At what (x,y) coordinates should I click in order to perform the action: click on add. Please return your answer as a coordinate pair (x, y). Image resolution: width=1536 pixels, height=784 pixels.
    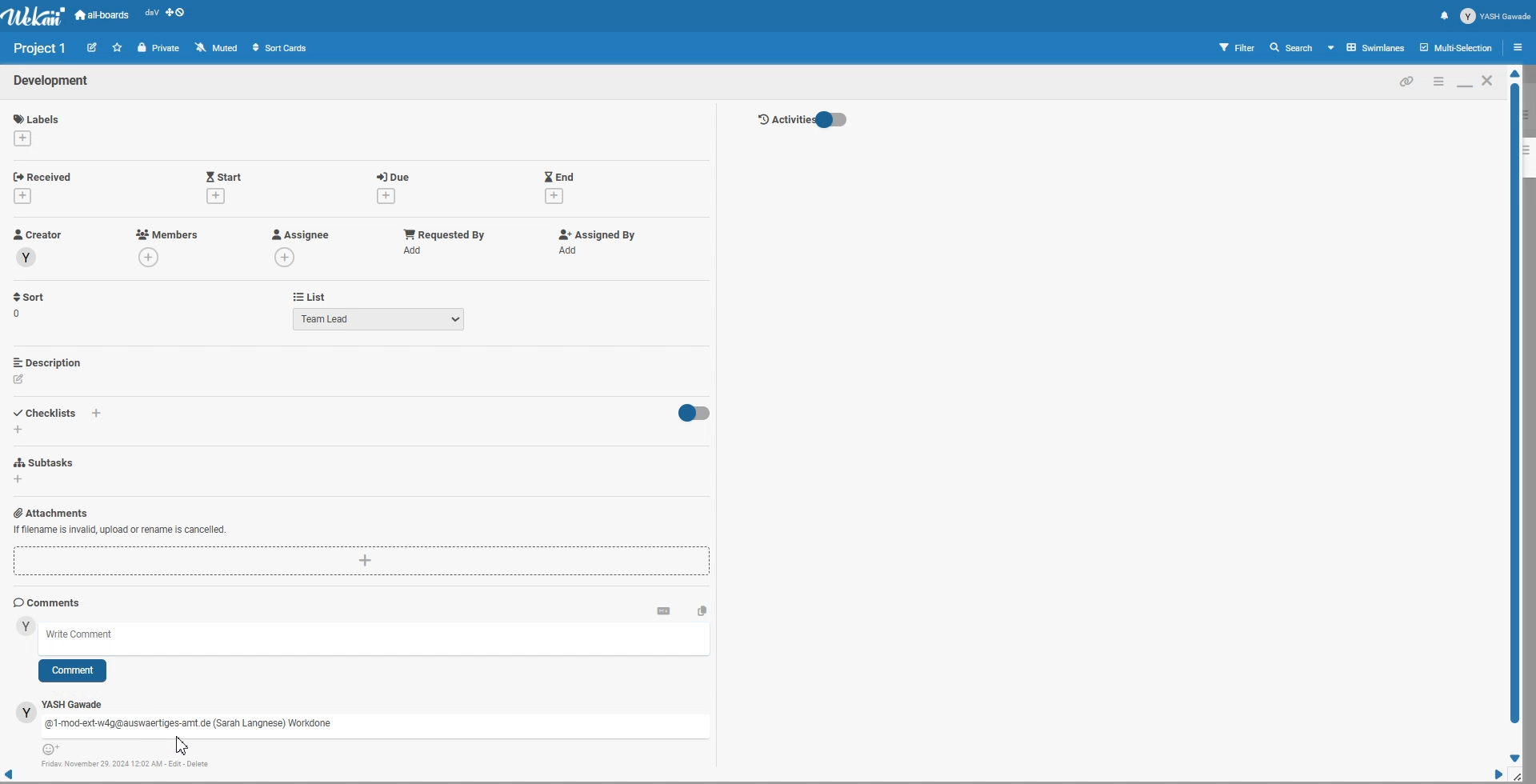
    Looking at the image, I should click on (571, 250).